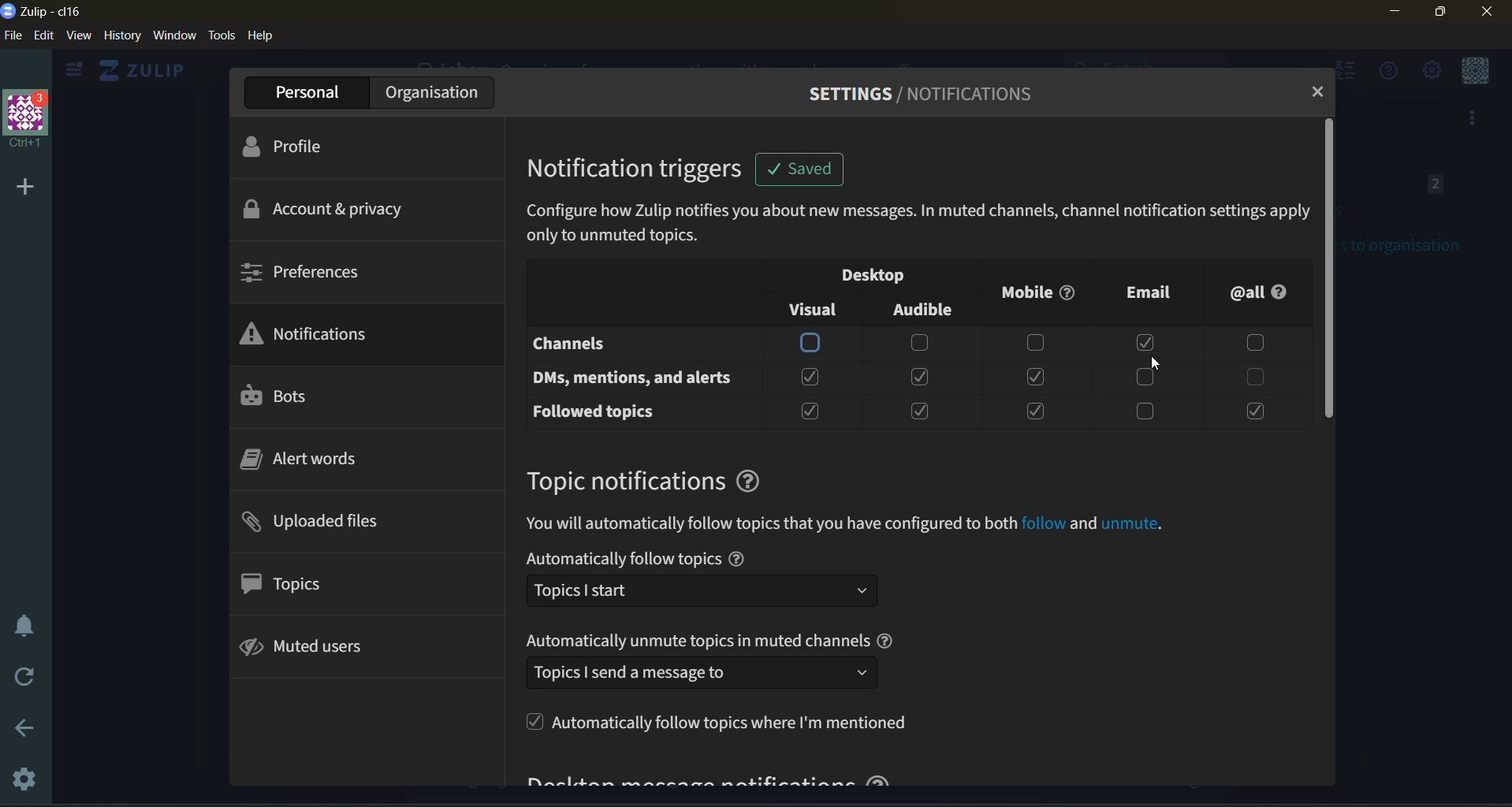 The height and width of the screenshot is (807, 1512). Describe the element at coordinates (50, 10) in the screenshot. I see `organisation name and app name` at that location.